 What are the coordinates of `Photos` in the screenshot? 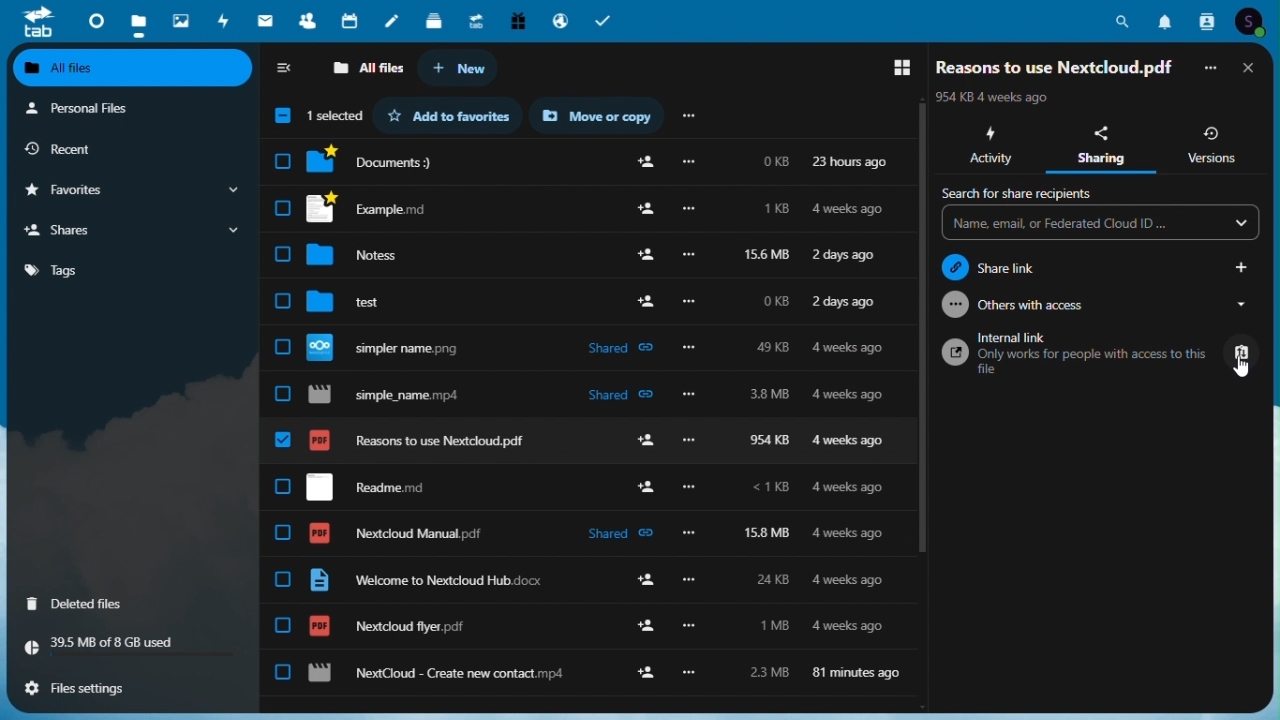 It's located at (181, 19).